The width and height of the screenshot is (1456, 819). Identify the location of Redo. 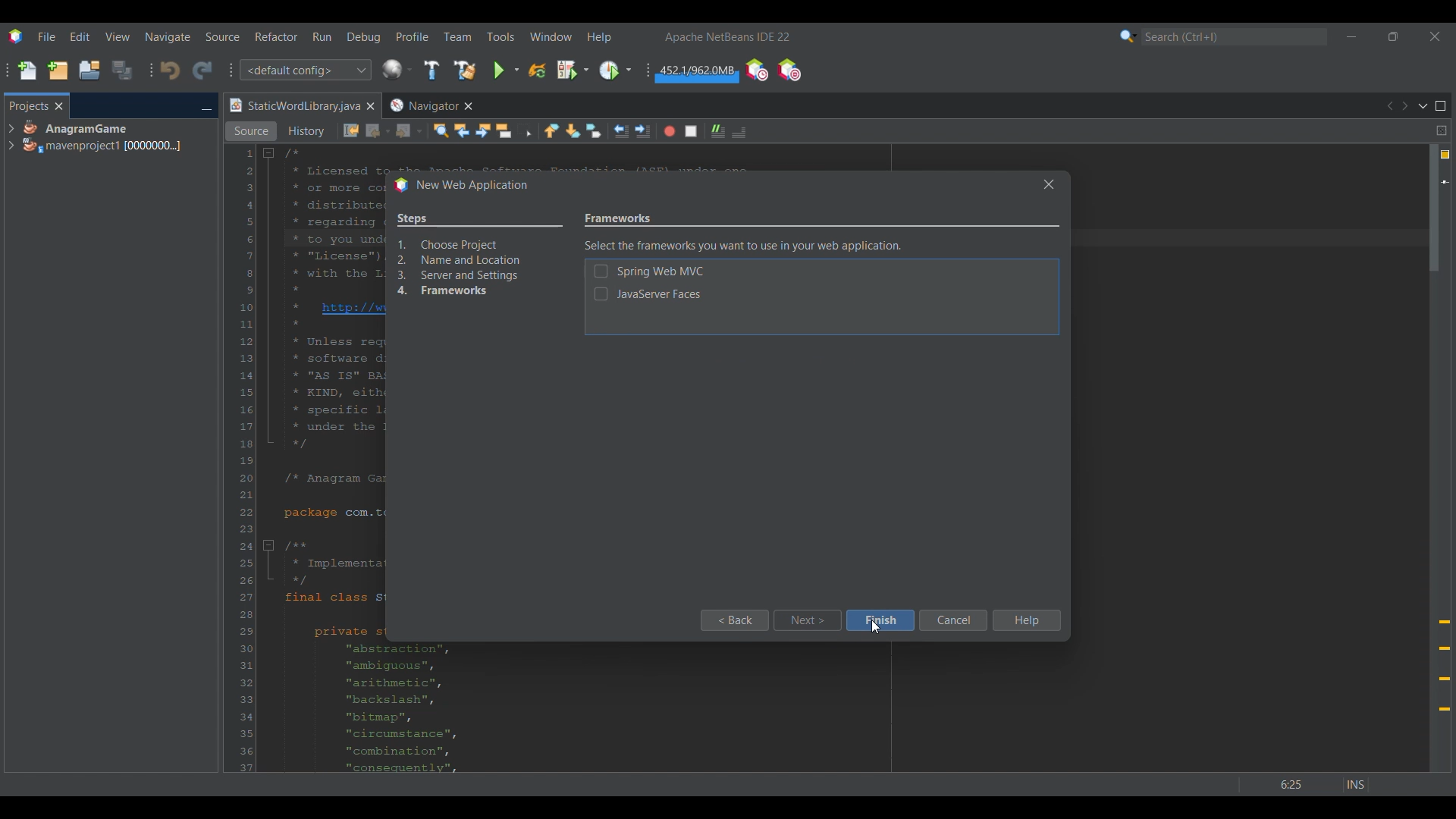
(202, 70).